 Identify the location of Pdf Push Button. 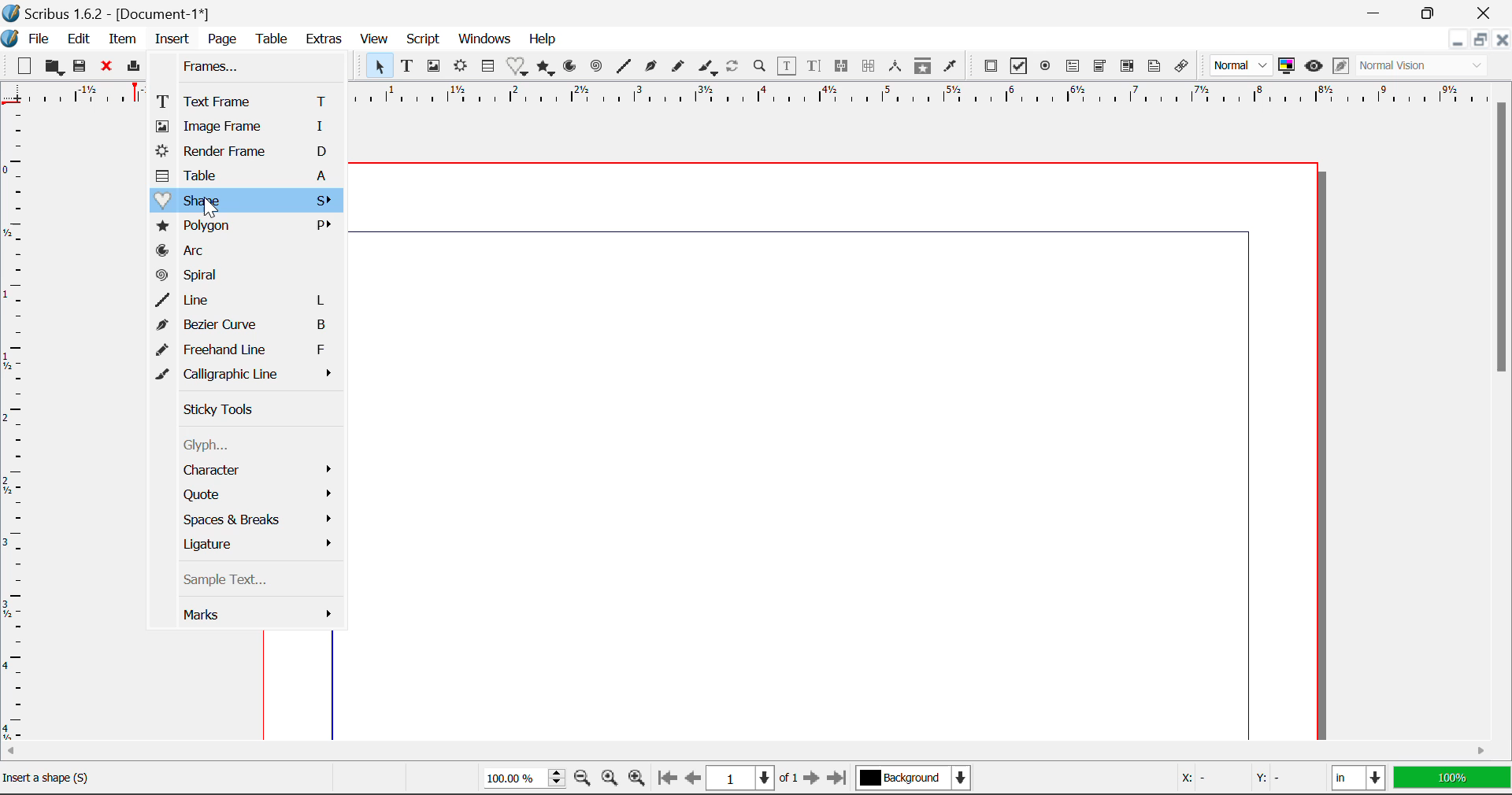
(991, 66).